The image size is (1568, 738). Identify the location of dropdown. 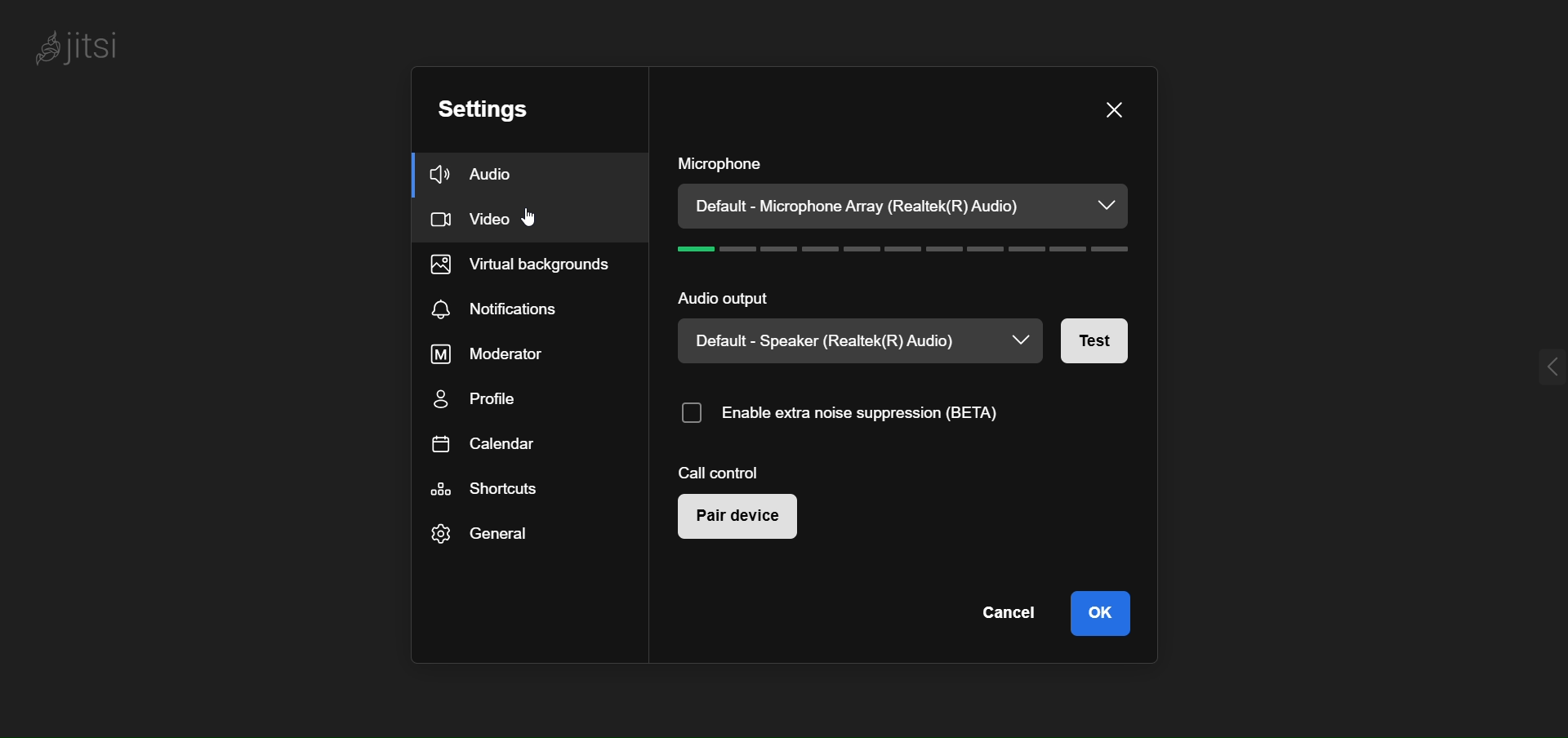
(1021, 340).